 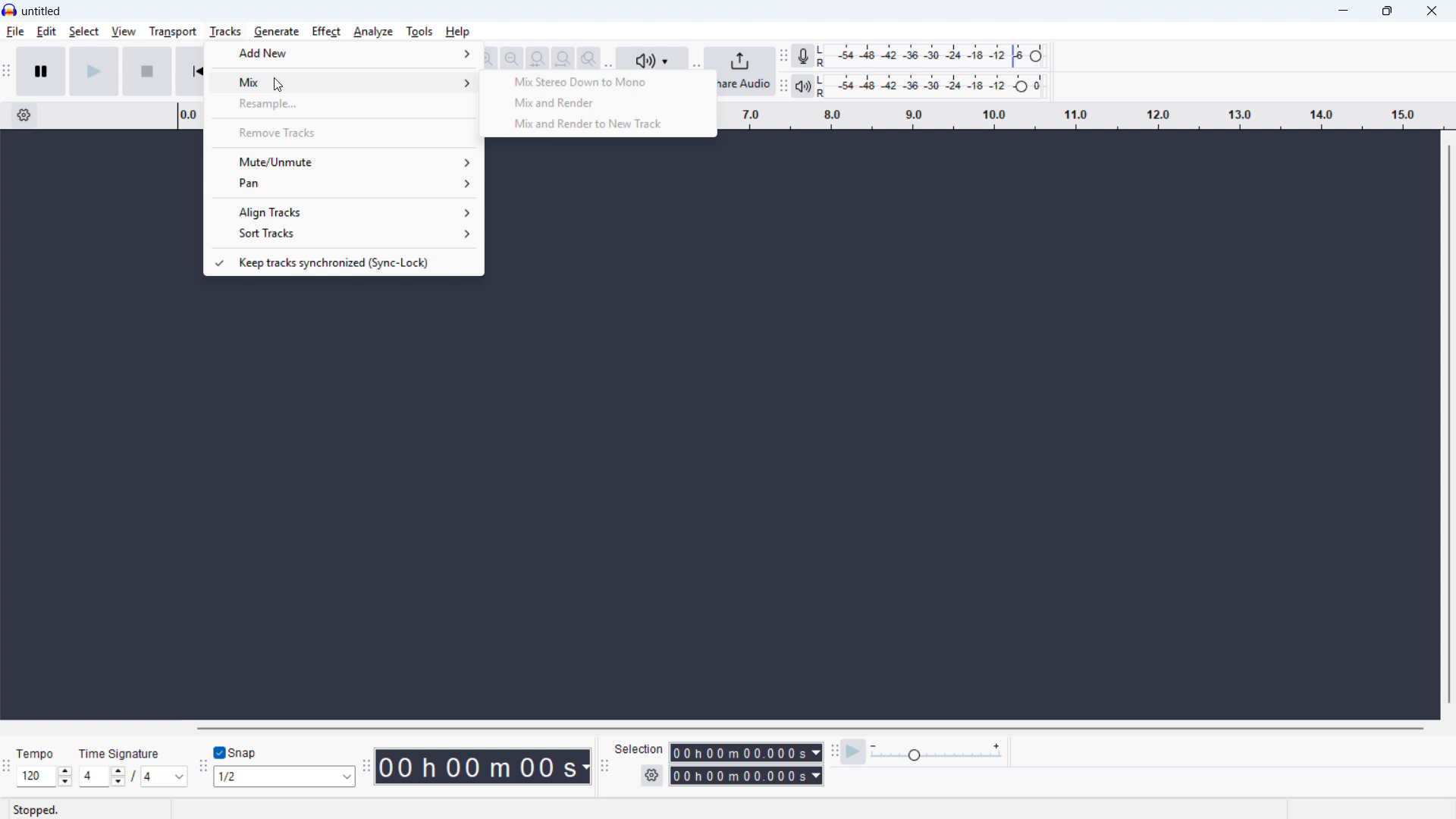 I want to click on Tracks , so click(x=226, y=31).